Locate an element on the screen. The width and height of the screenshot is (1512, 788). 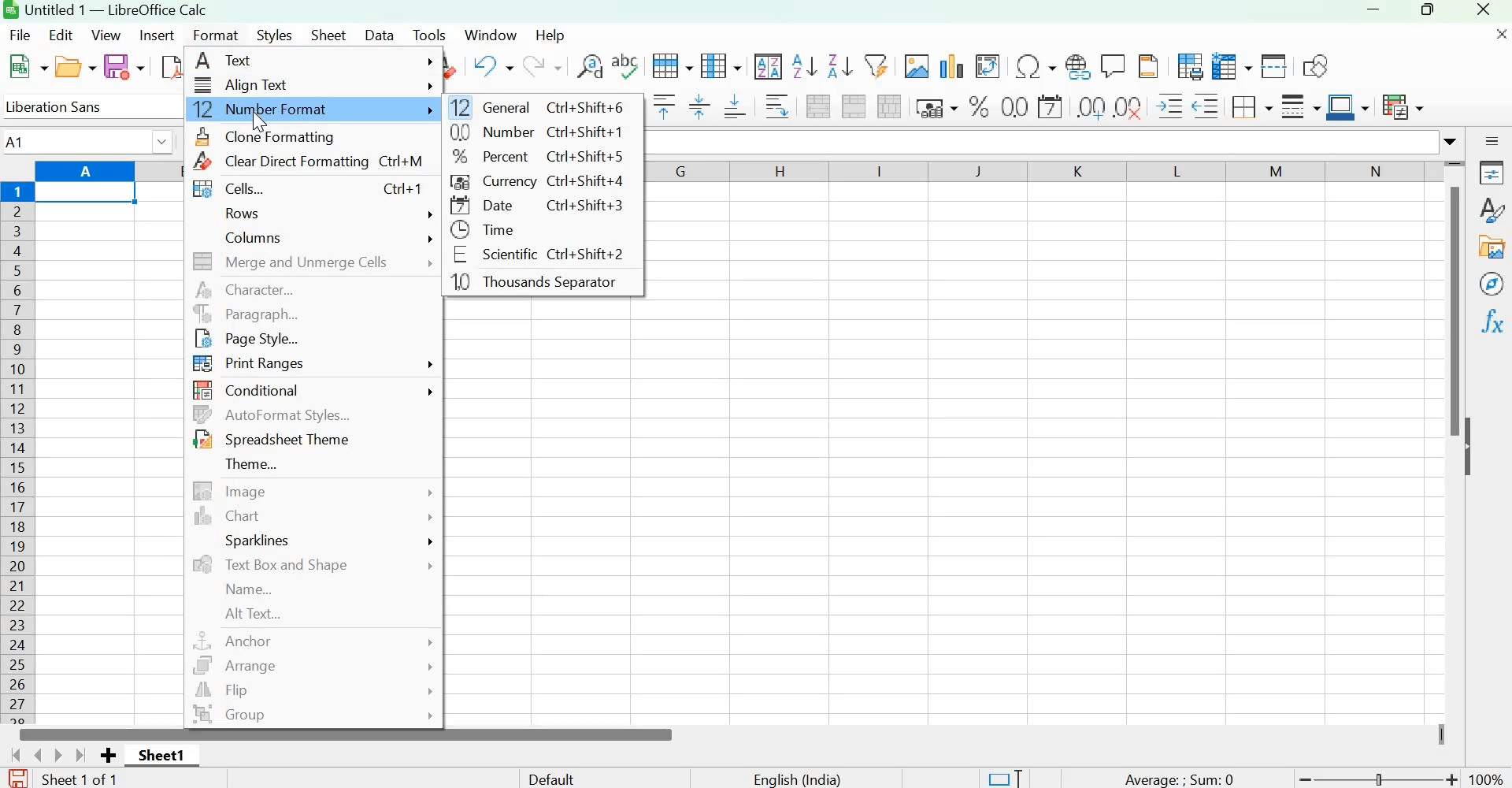
Page style is located at coordinates (254, 340).